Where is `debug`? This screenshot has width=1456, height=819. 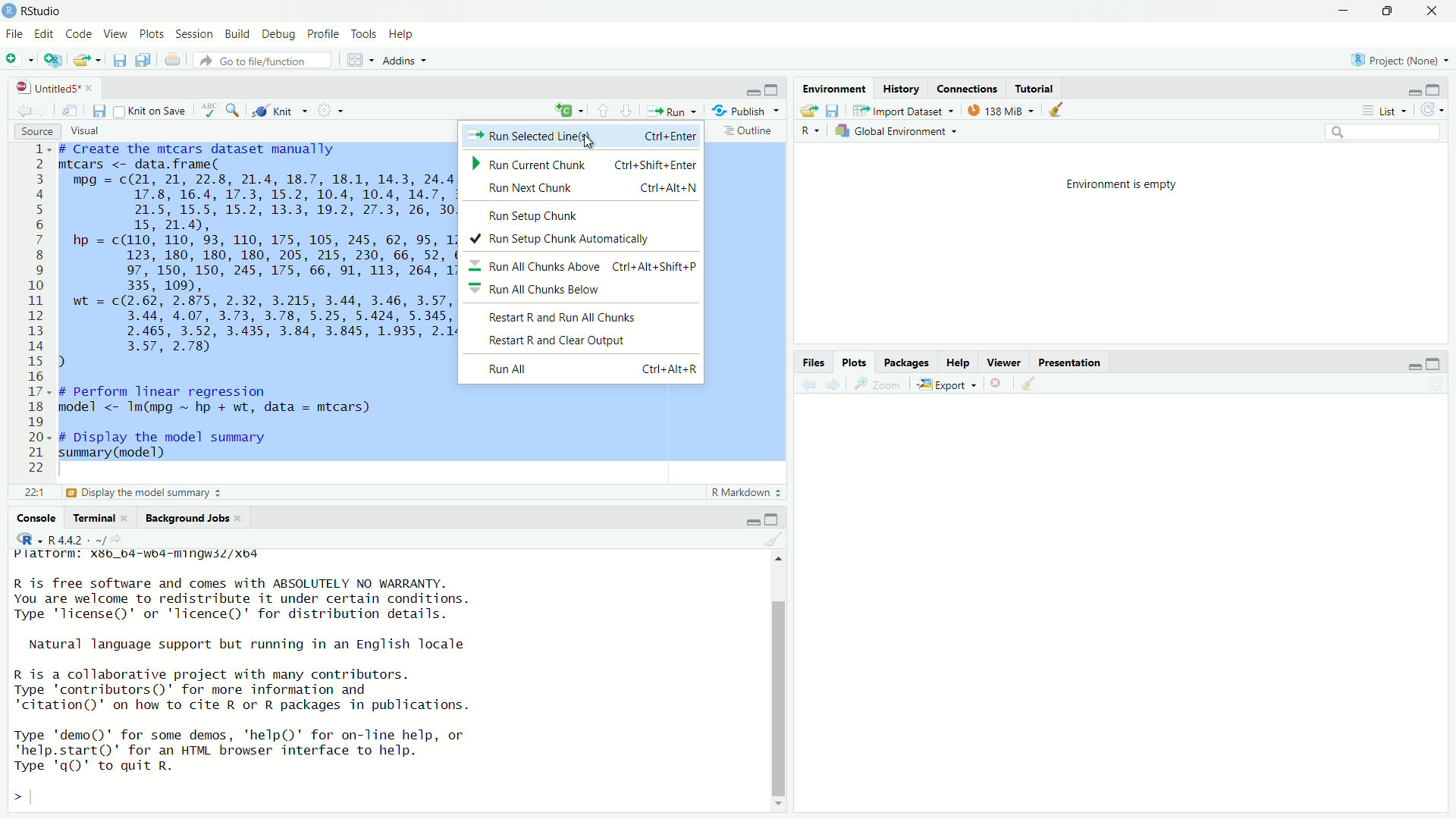
debug is located at coordinates (280, 34).